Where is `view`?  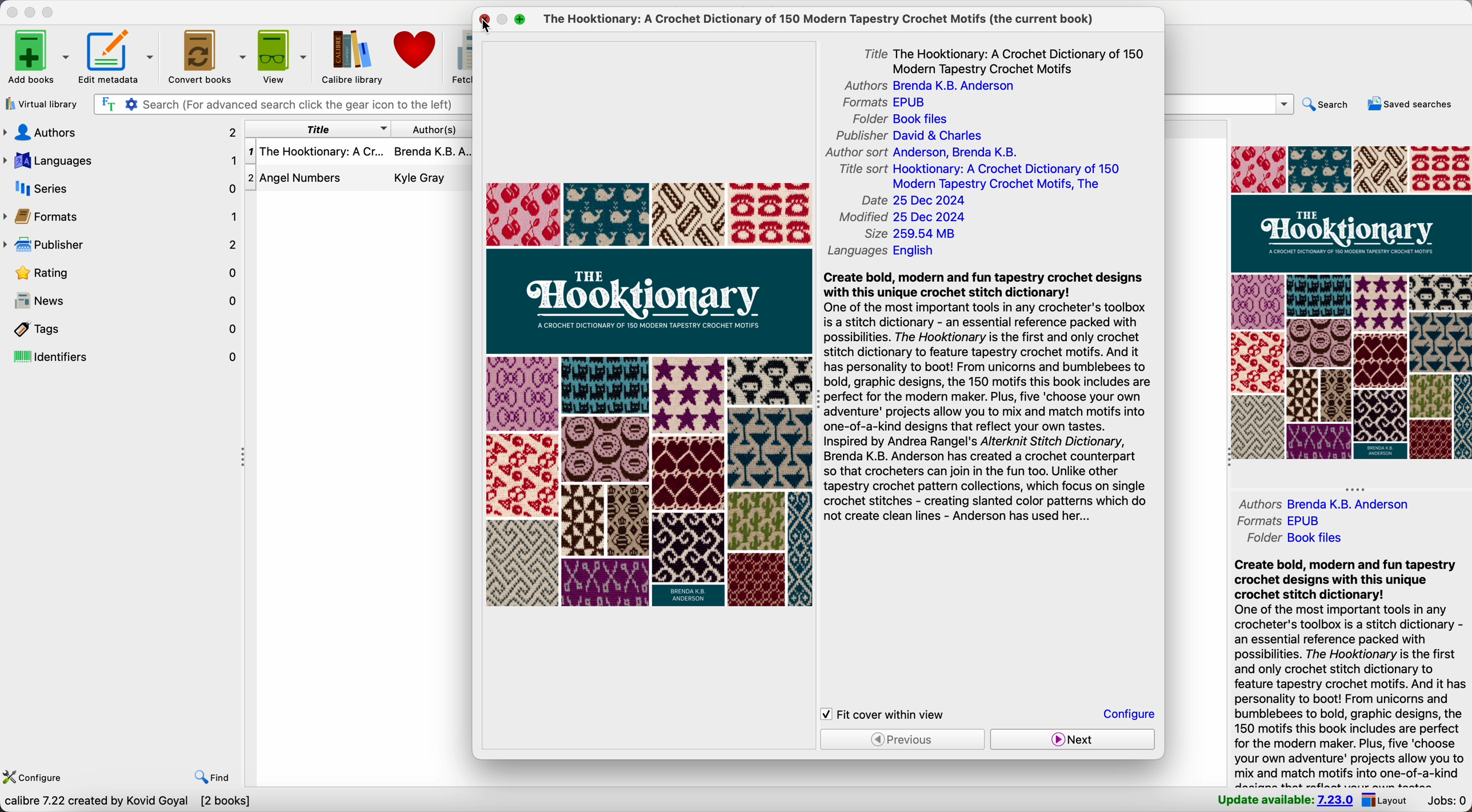 view is located at coordinates (282, 55).